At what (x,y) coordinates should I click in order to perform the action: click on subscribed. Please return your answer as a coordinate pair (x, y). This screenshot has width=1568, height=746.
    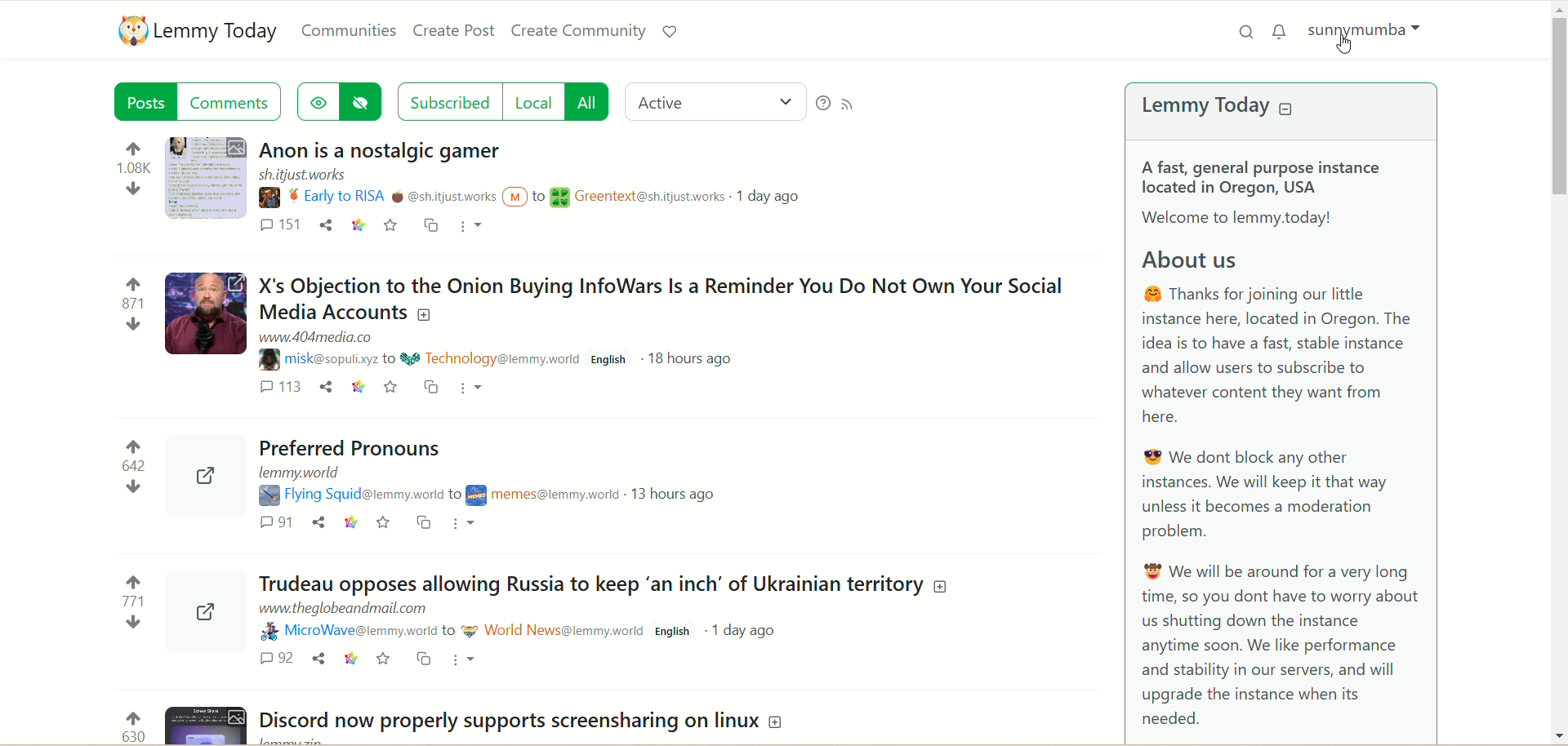
    Looking at the image, I should click on (445, 100).